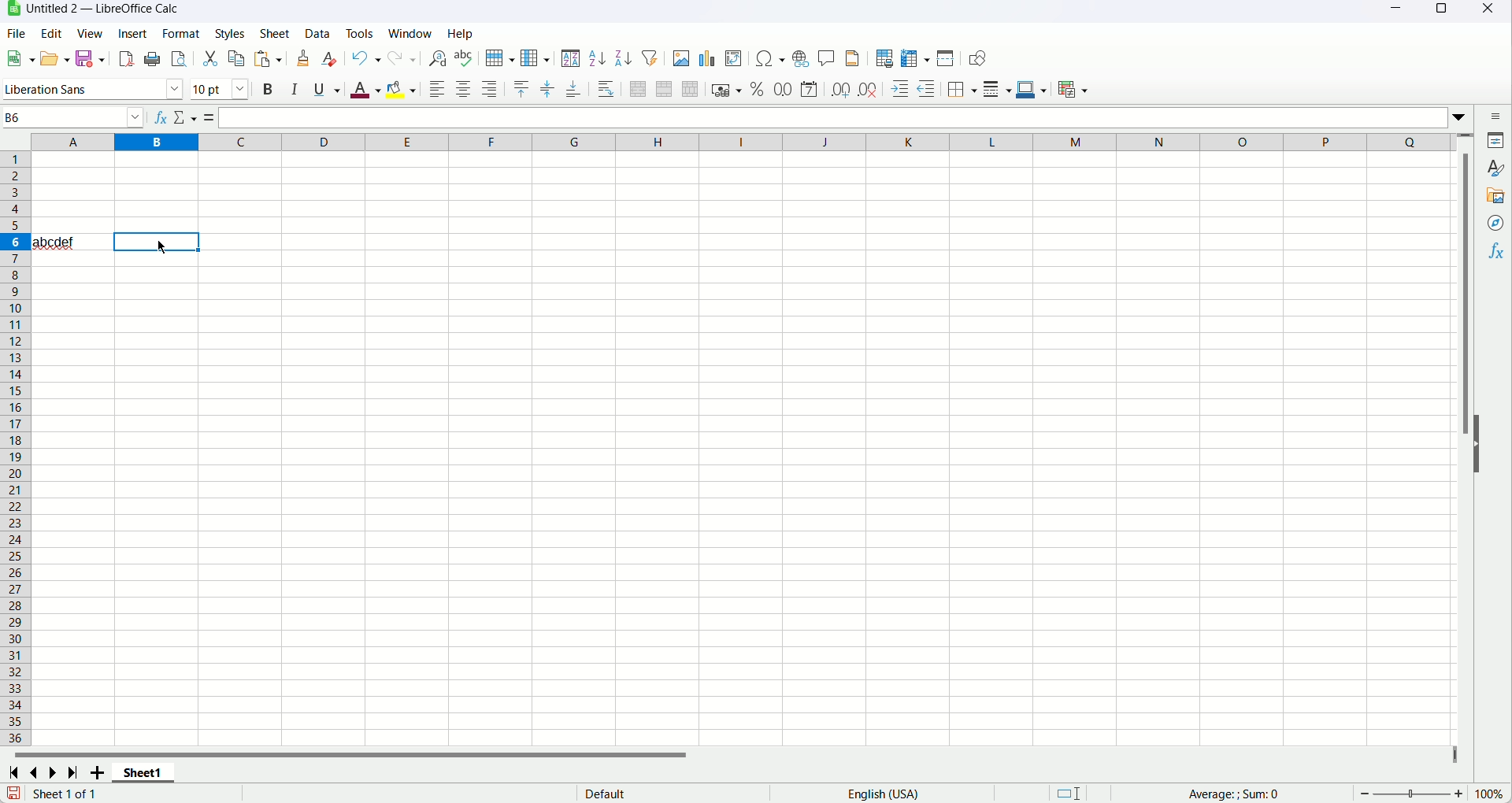 This screenshot has width=1512, height=803. What do you see at coordinates (651, 58) in the screenshot?
I see `auto filter` at bounding box center [651, 58].